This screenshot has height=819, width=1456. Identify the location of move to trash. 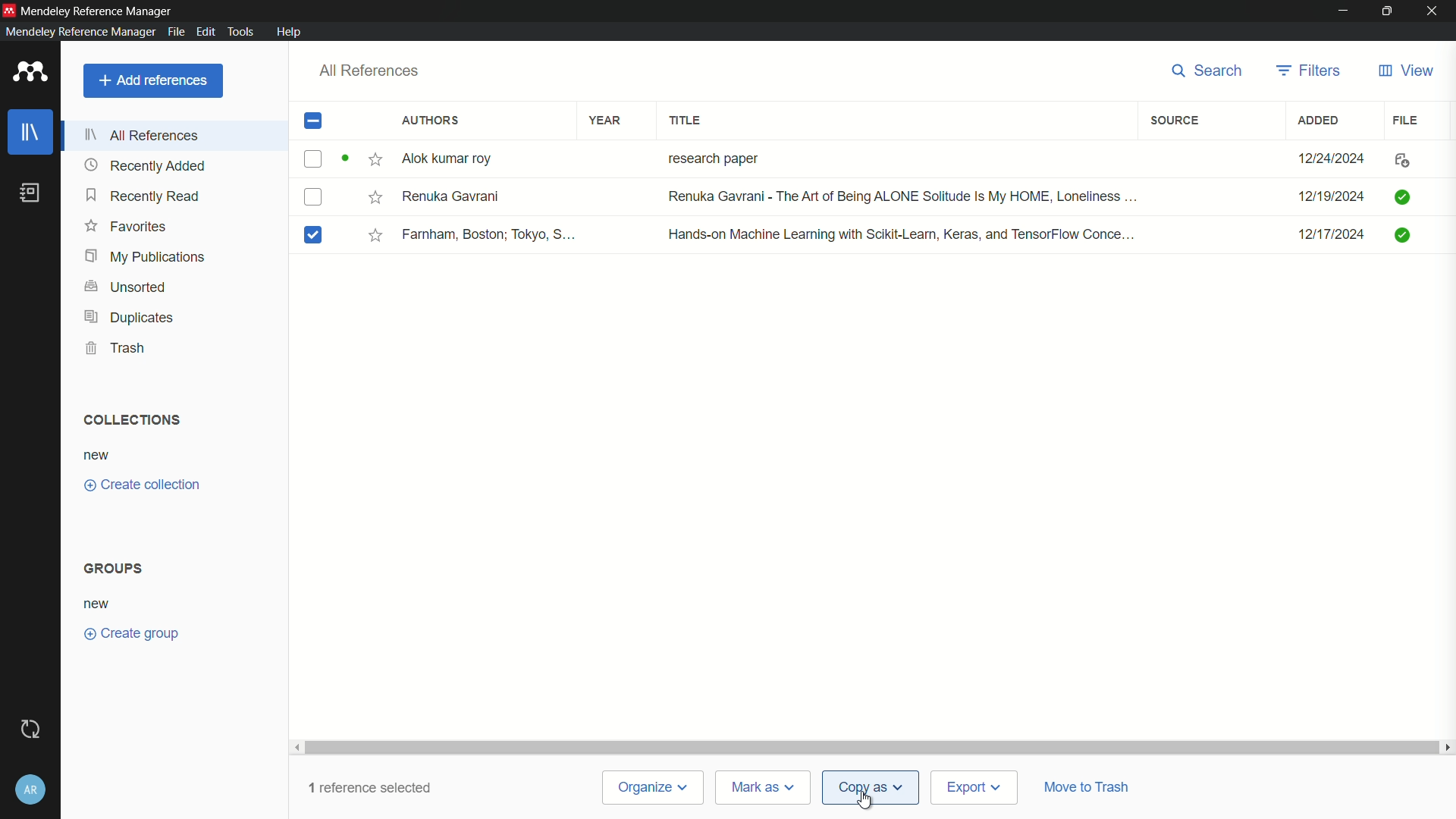
(1091, 788).